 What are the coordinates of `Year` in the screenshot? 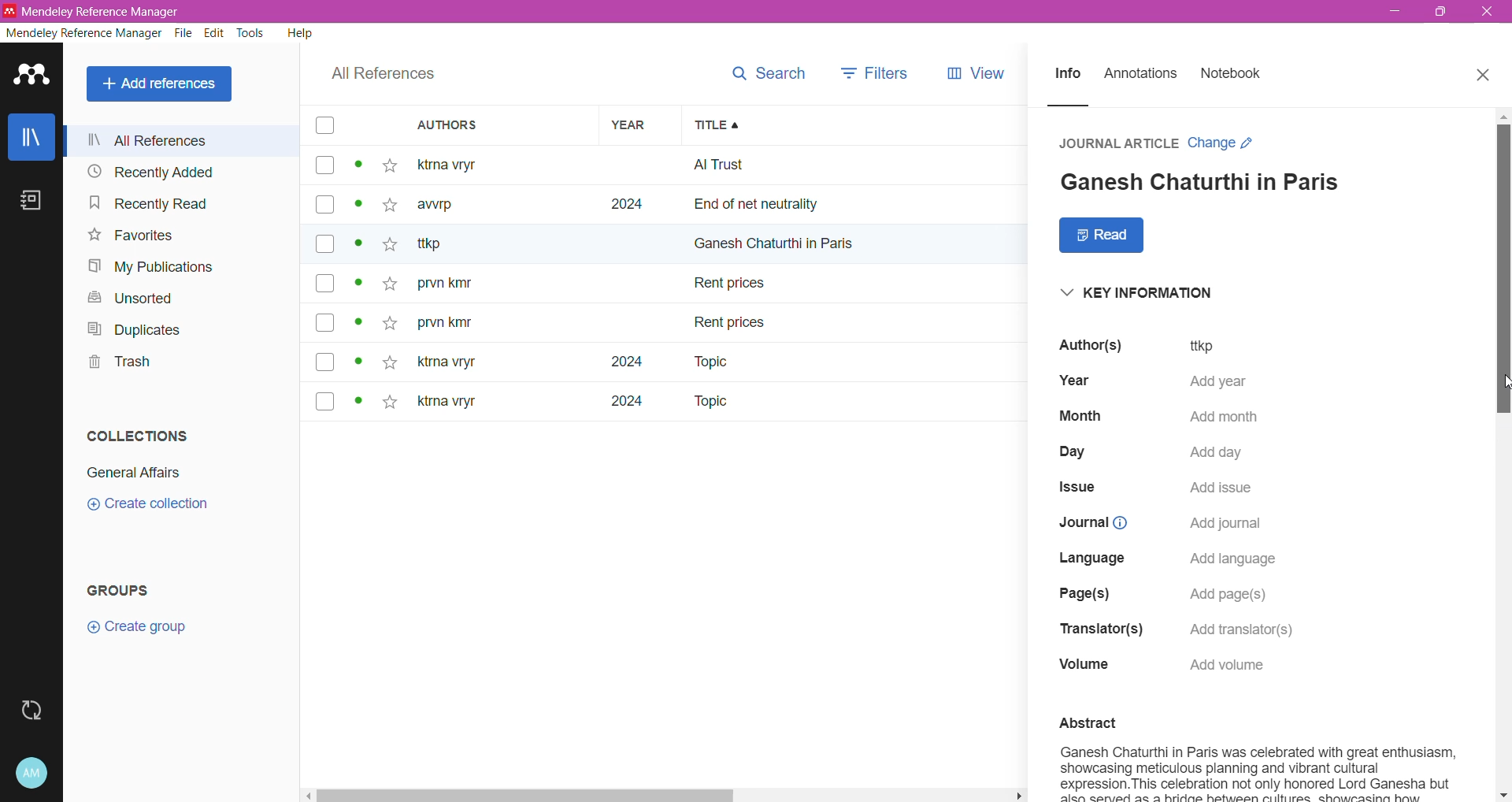 It's located at (637, 126).